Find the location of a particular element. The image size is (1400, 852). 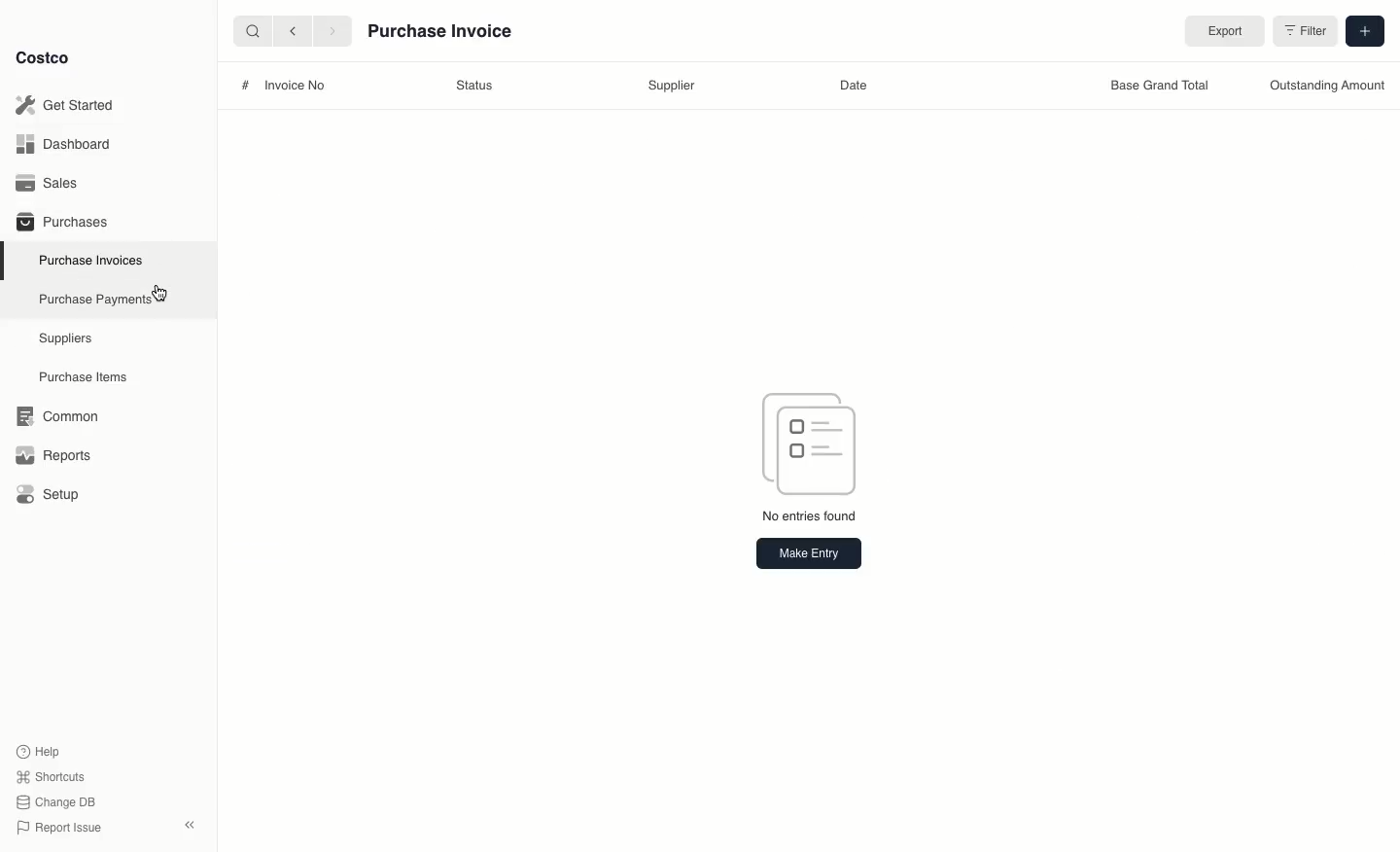

Dashboard is located at coordinates (69, 143).